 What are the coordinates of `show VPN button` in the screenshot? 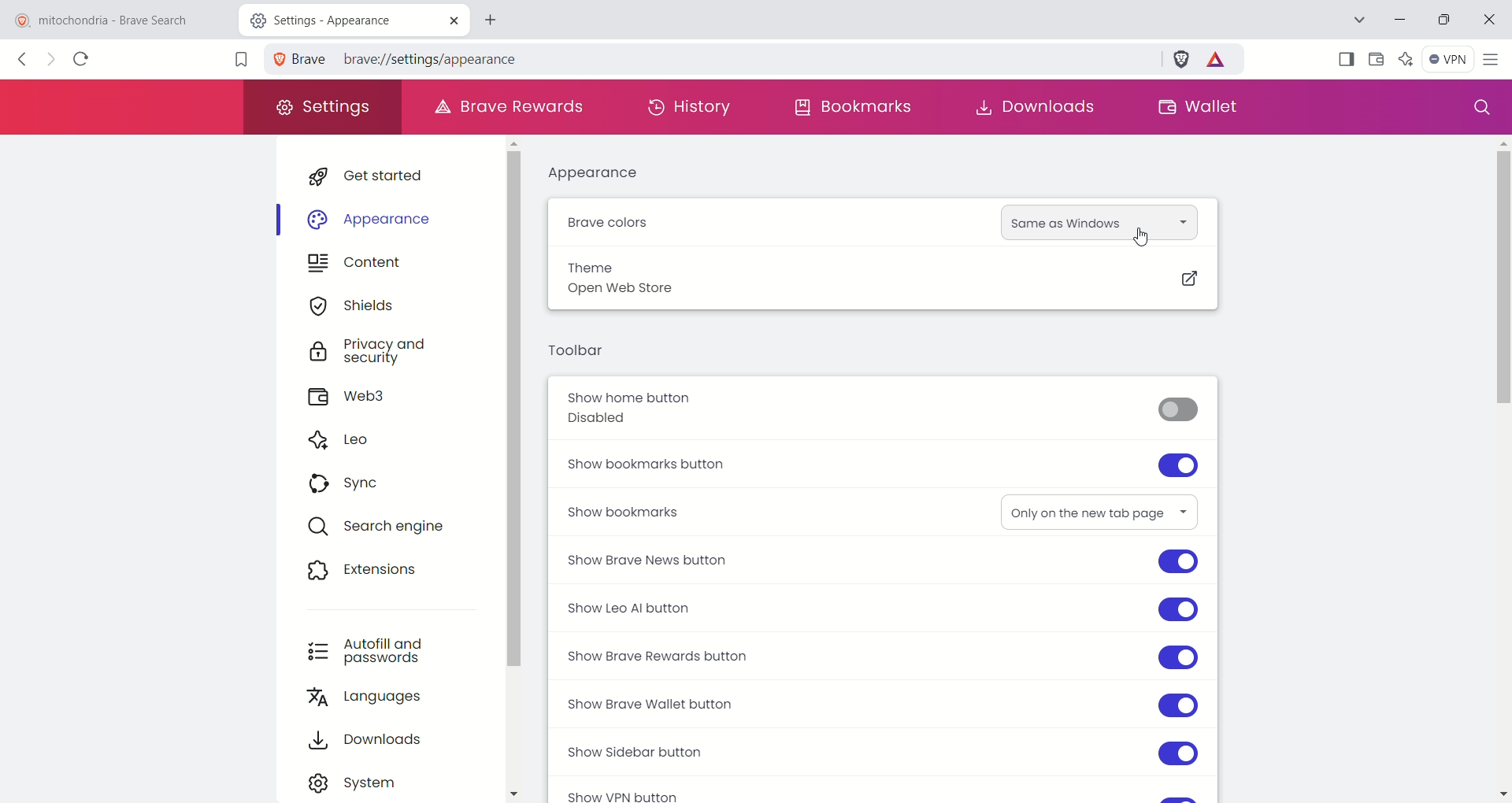 It's located at (621, 793).